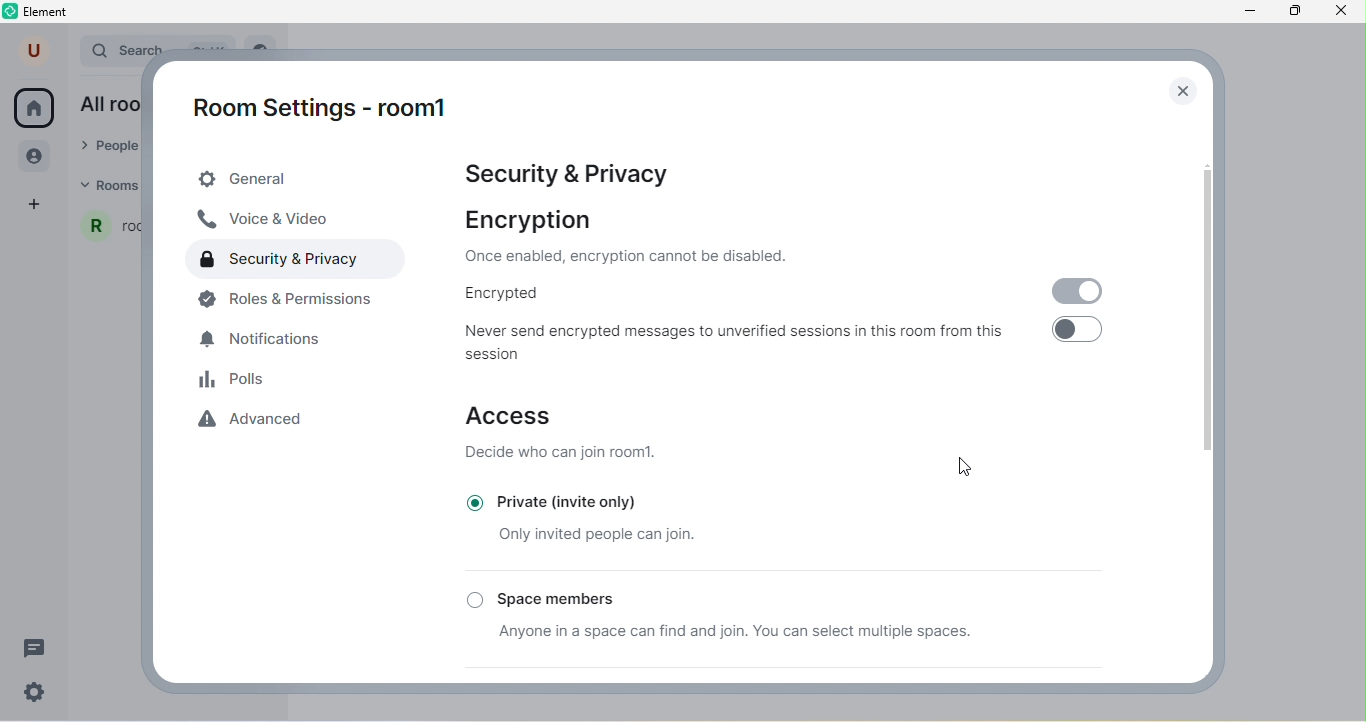 This screenshot has width=1366, height=722. I want to click on user, so click(36, 50).